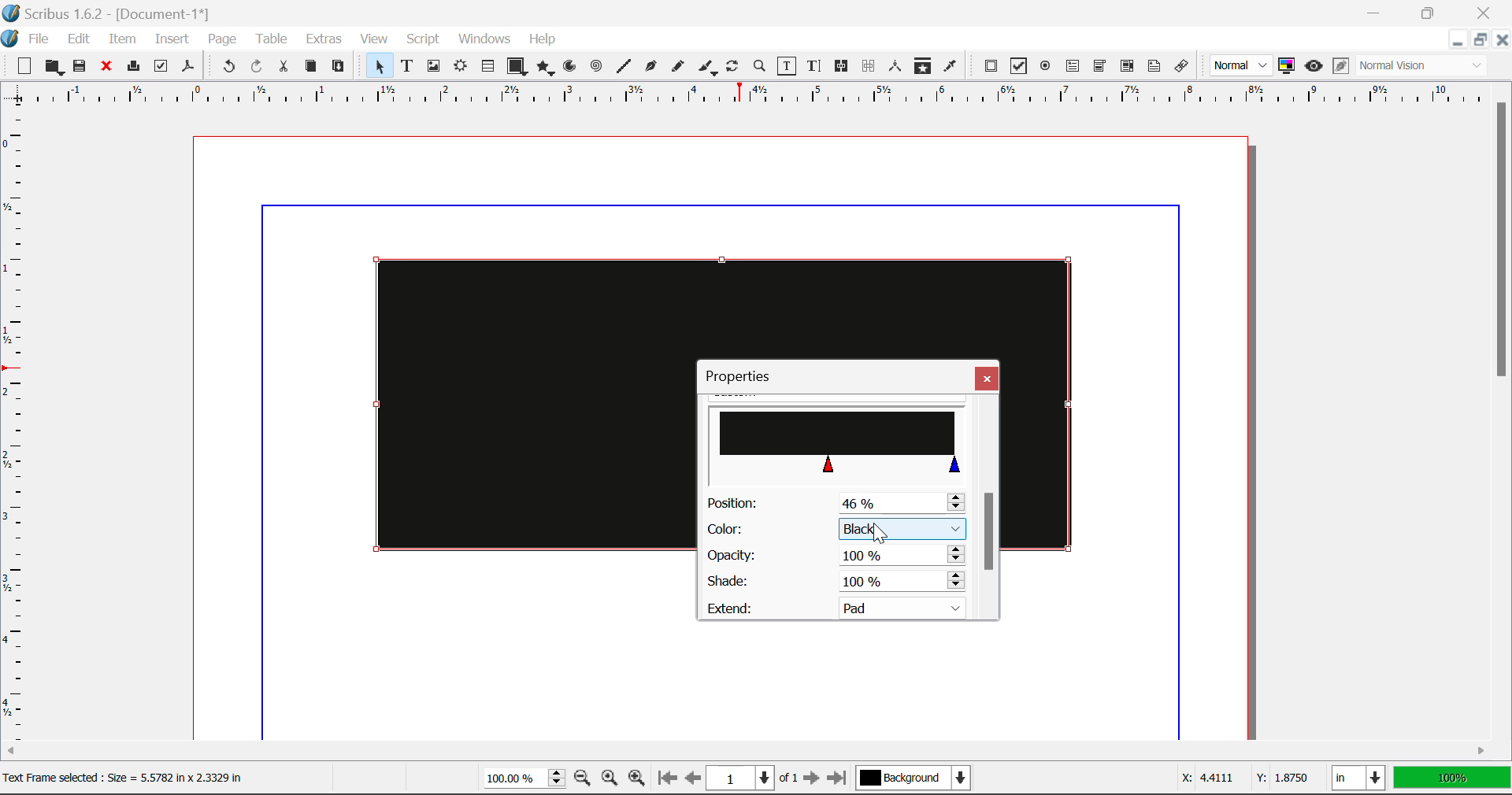 The height and width of the screenshot is (795, 1512). Describe the element at coordinates (665, 779) in the screenshot. I see `First Page` at that location.